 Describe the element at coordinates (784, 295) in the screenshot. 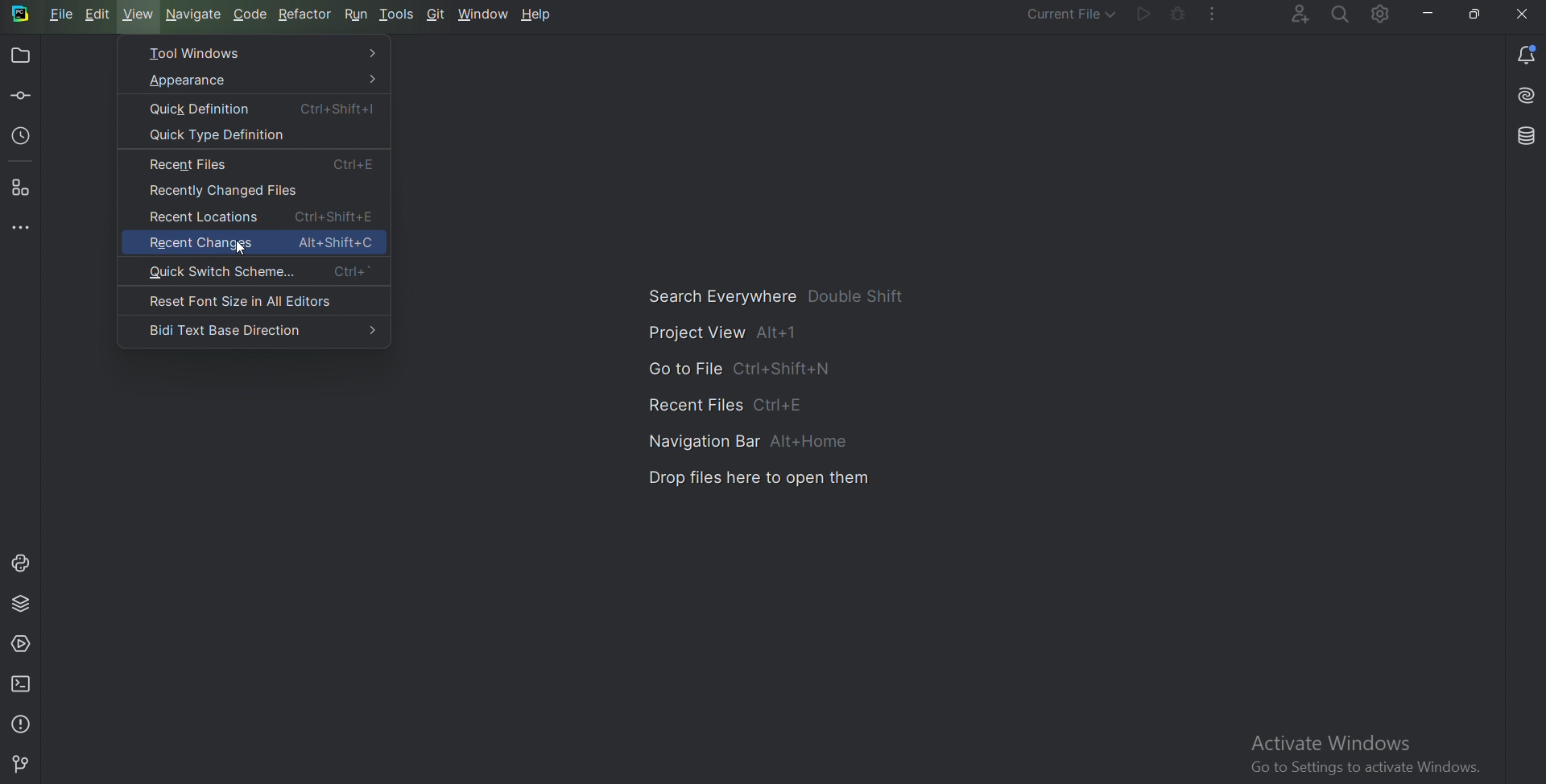

I see `Search Everywhere` at that location.